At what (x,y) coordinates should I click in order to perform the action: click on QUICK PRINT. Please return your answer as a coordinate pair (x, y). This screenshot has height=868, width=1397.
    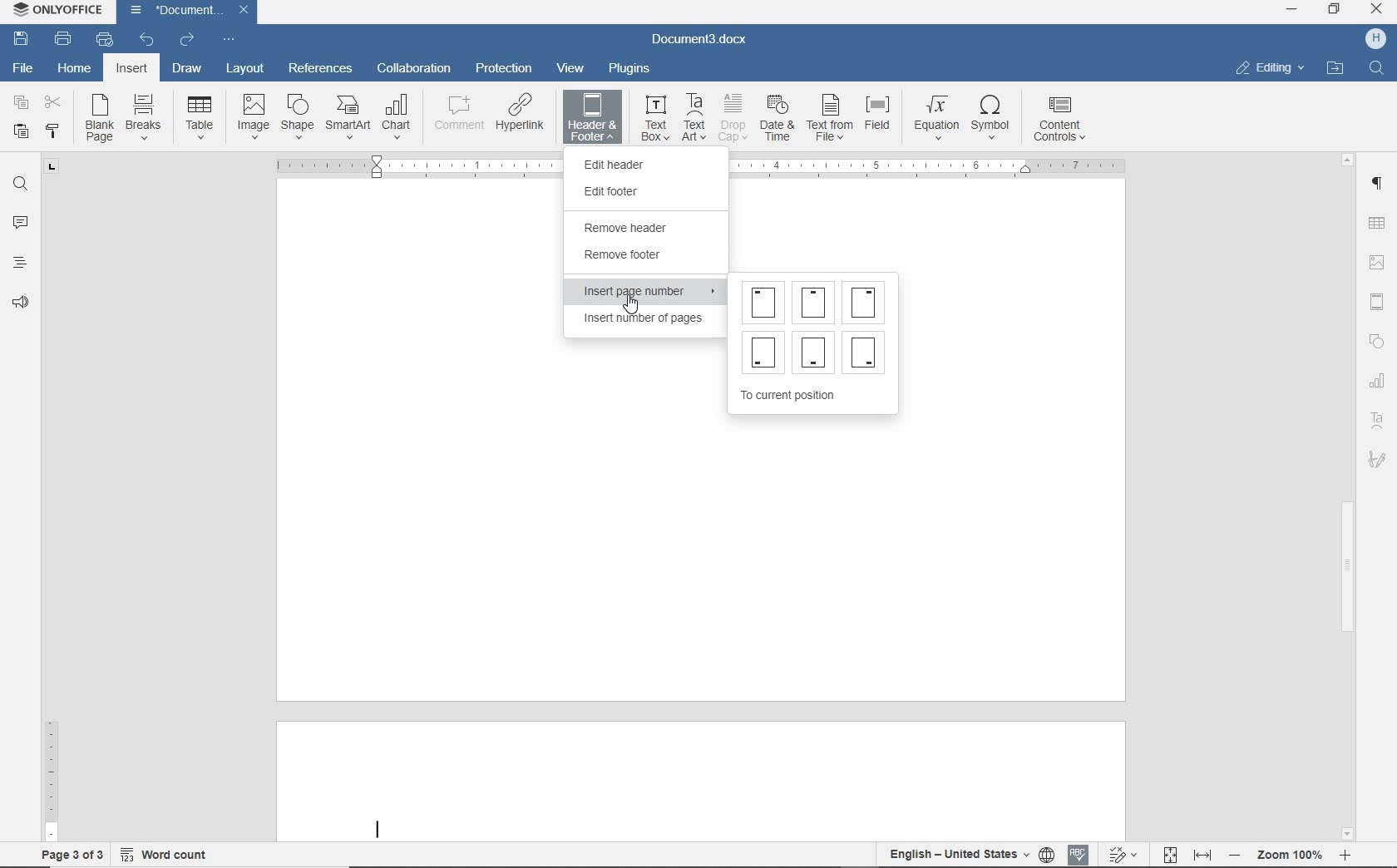
    Looking at the image, I should click on (107, 40).